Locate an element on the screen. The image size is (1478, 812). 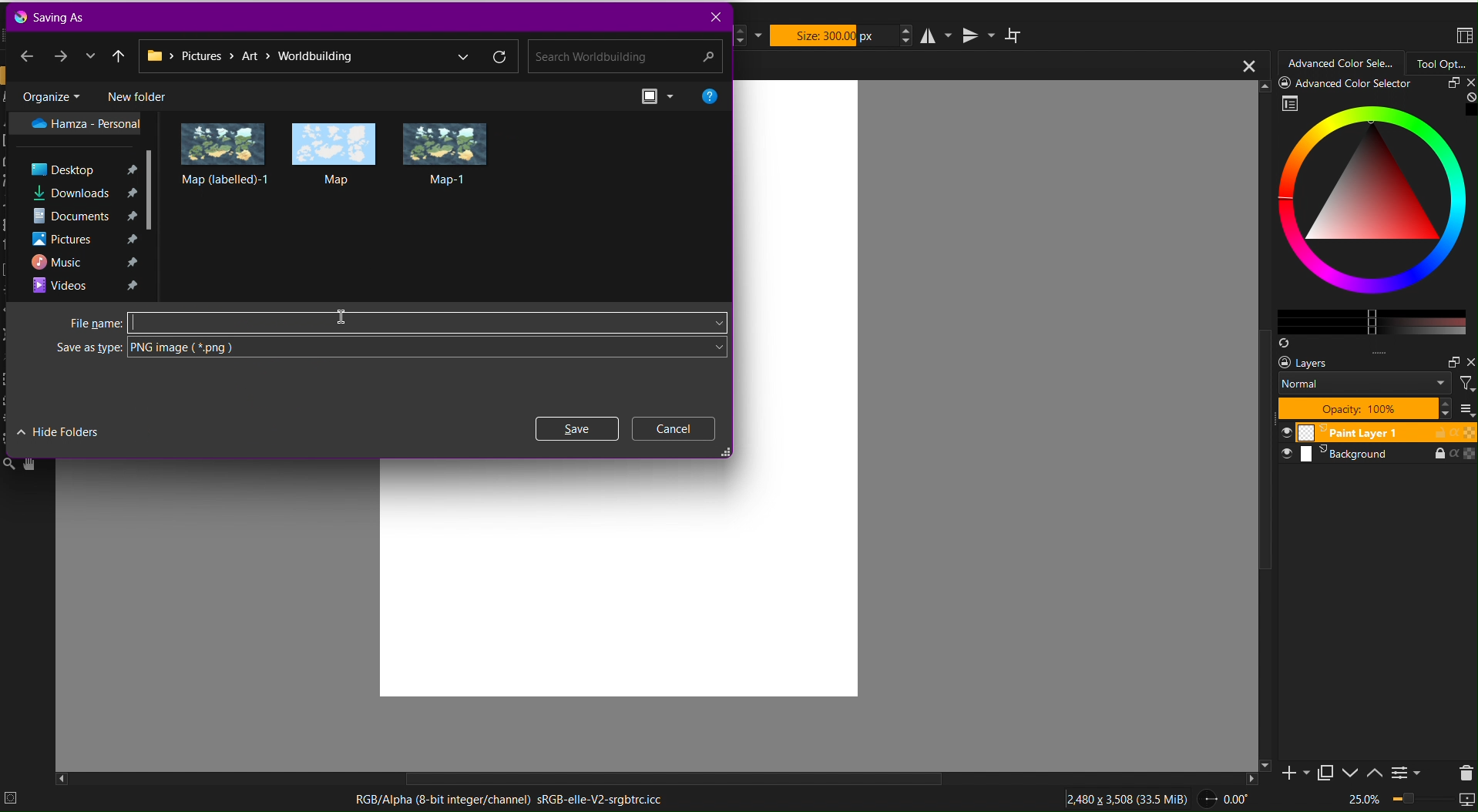
Organize is located at coordinates (50, 95).